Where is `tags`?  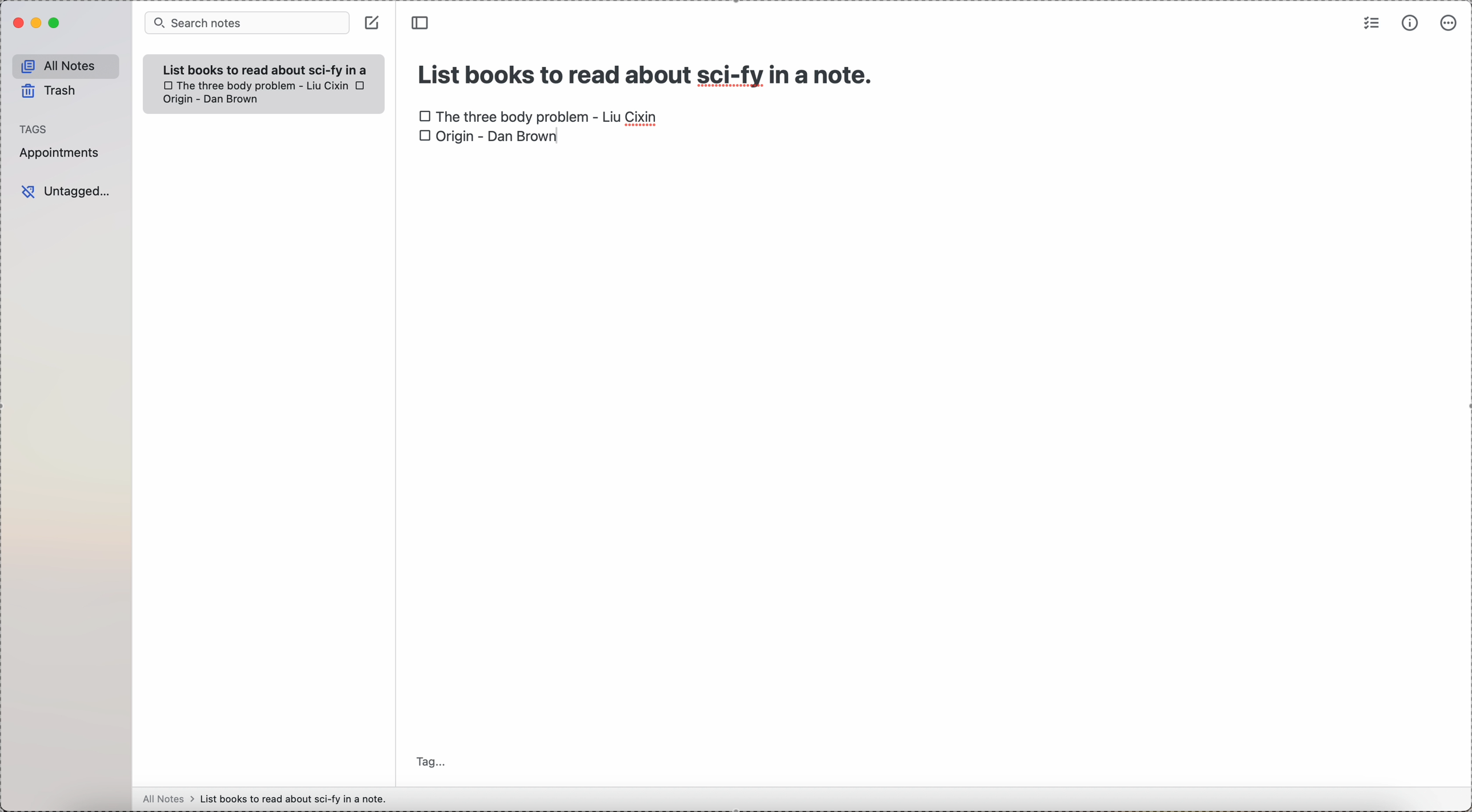
tags is located at coordinates (35, 127).